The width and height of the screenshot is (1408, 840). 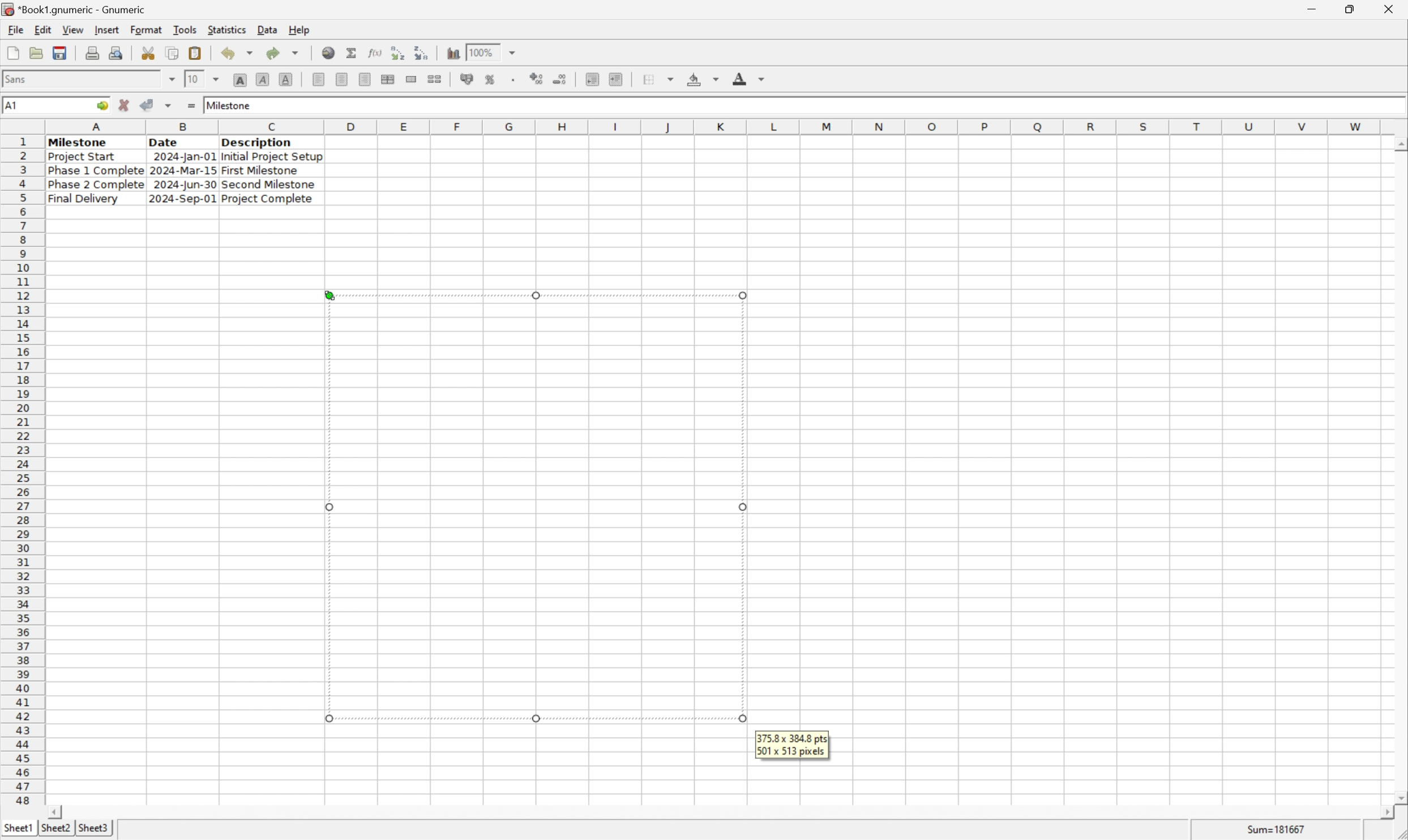 What do you see at coordinates (1320, 7) in the screenshot?
I see `minimize` at bounding box center [1320, 7].